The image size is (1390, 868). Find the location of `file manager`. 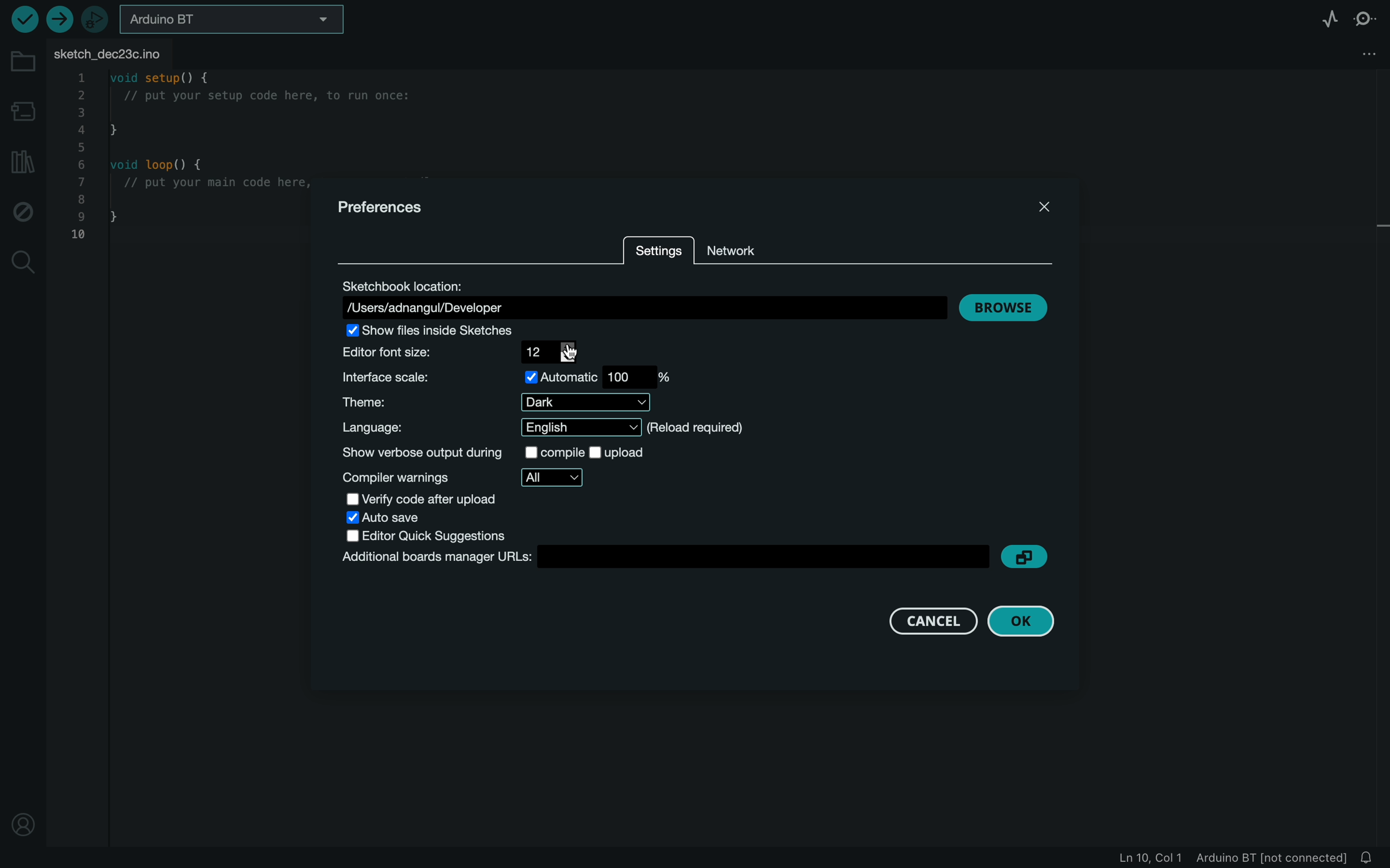

file manager is located at coordinates (1364, 53).